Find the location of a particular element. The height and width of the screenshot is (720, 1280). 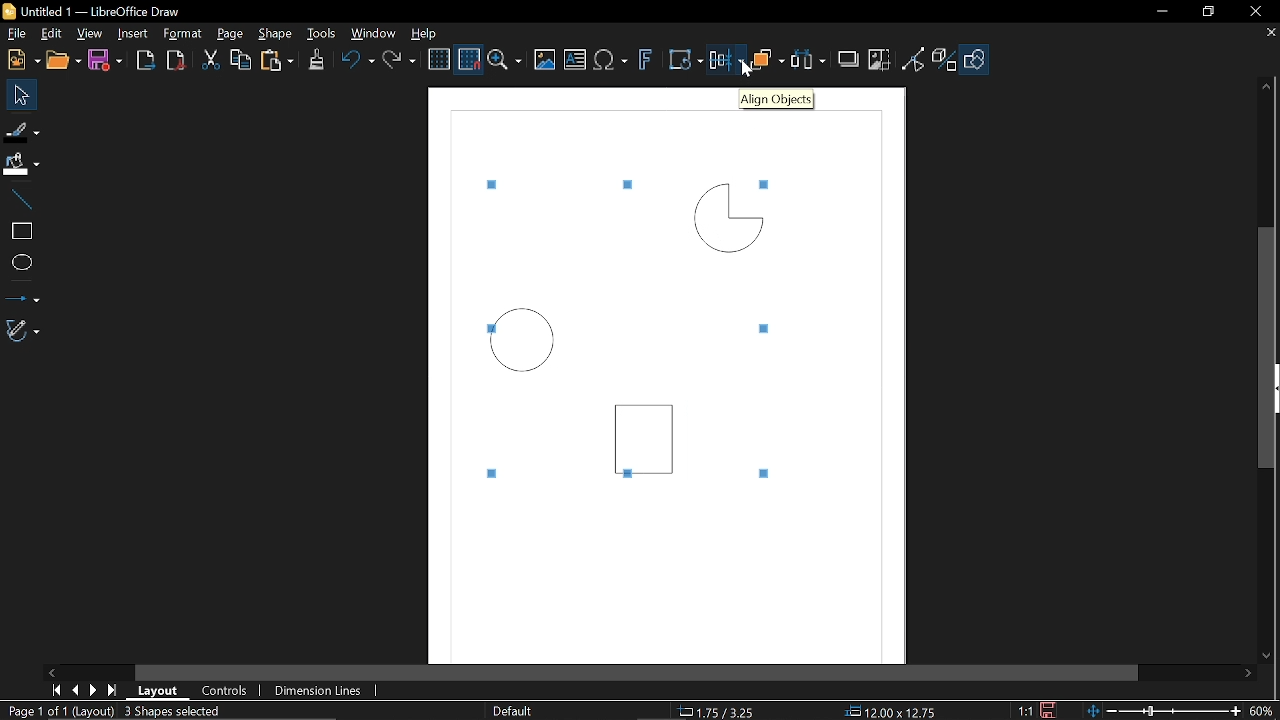

1:1 (Scaling factor) is located at coordinates (1024, 709).